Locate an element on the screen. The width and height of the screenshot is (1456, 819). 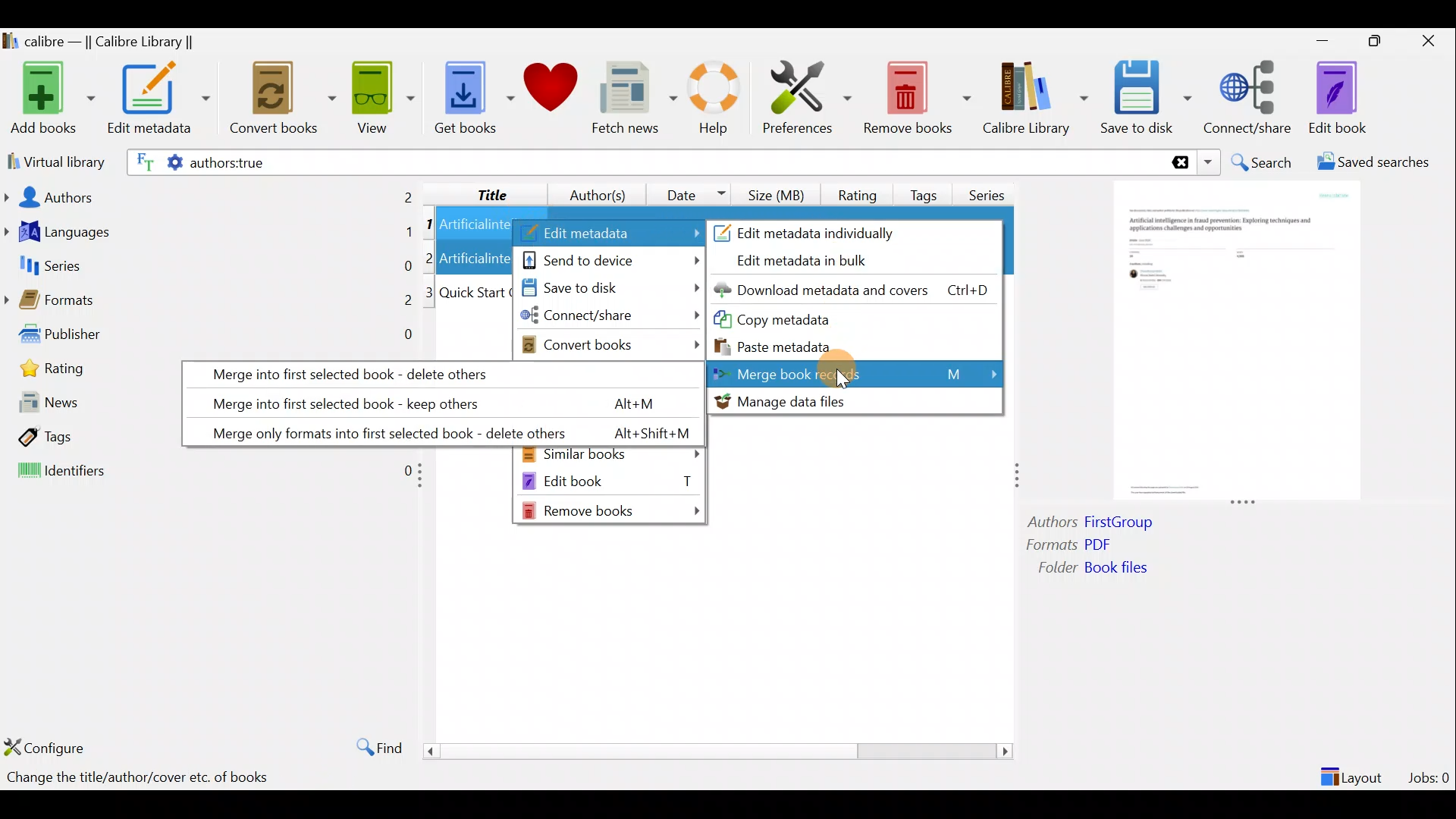
Cursor is located at coordinates (847, 372).